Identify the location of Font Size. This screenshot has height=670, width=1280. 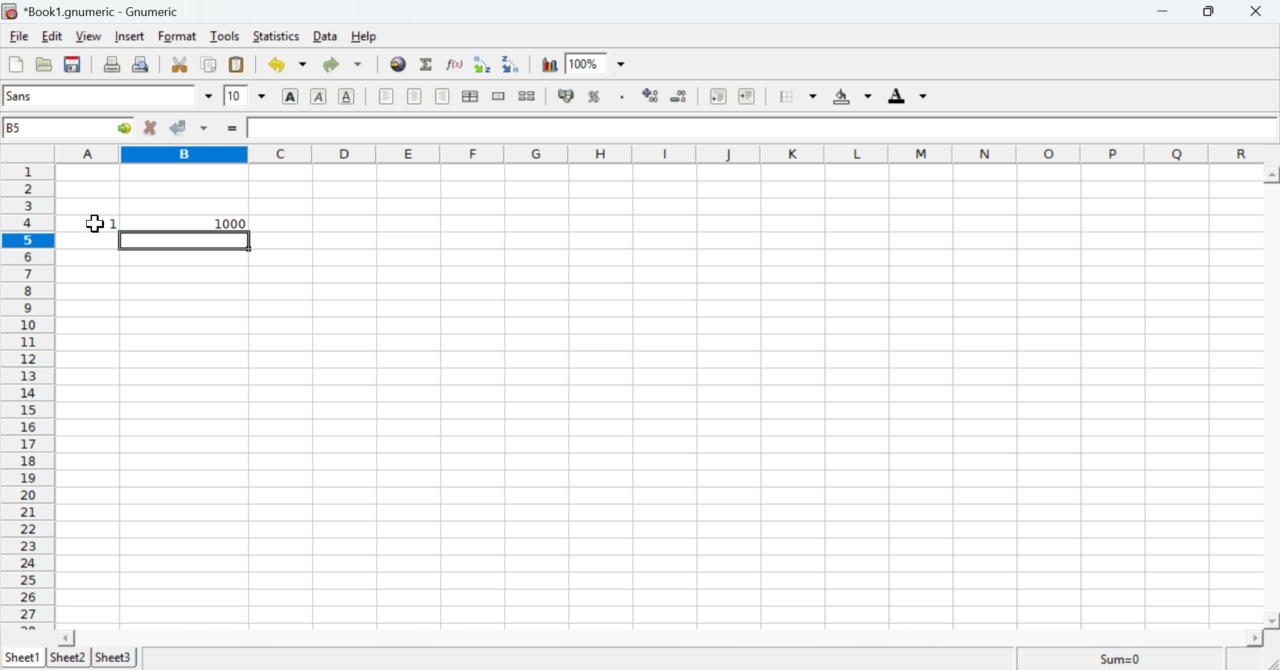
(247, 96).